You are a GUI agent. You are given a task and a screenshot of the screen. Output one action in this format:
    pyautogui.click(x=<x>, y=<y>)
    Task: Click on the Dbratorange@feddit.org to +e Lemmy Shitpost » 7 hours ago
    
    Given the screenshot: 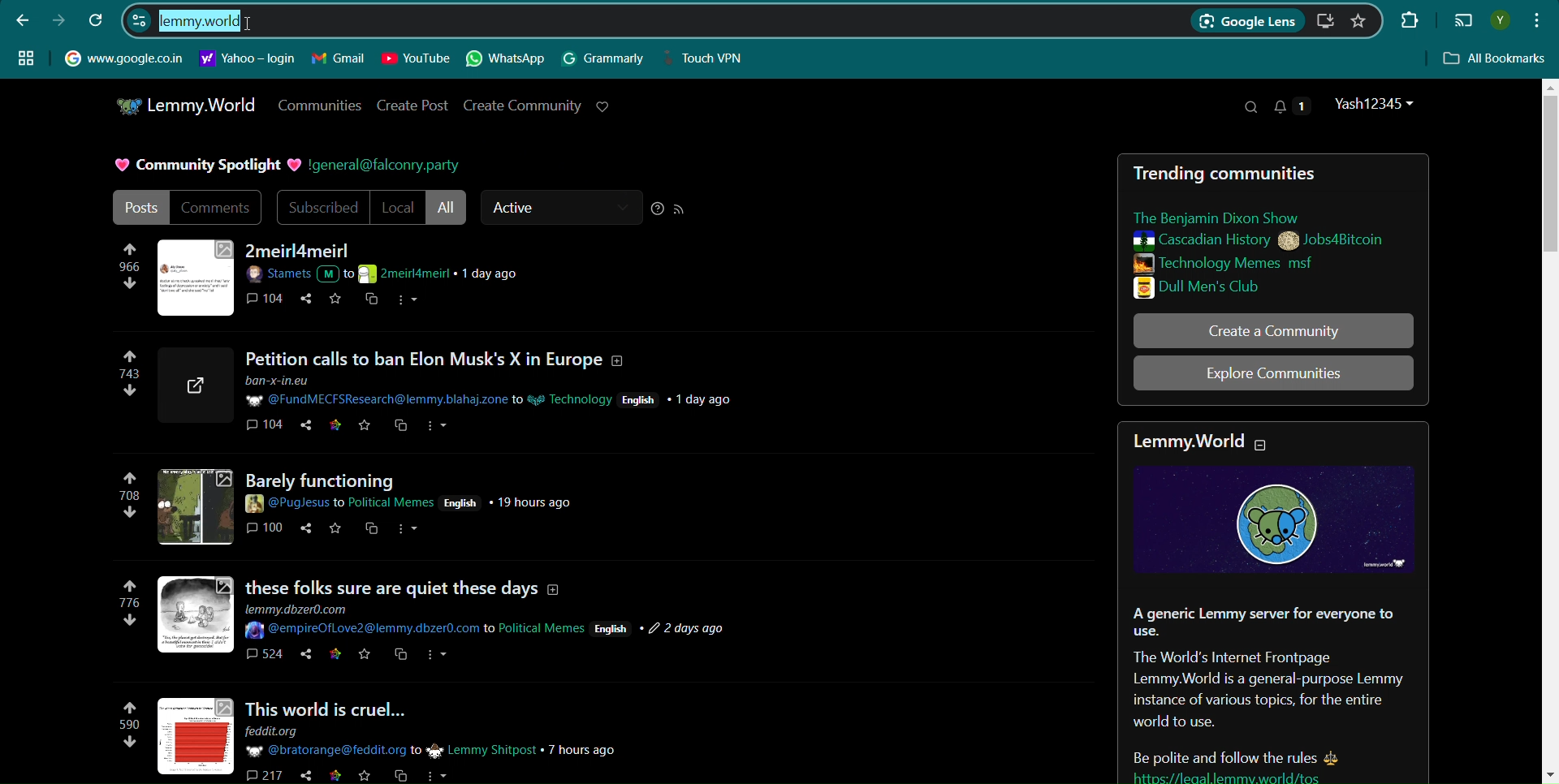 What is the action you would take?
    pyautogui.click(x=432, y=750)
    